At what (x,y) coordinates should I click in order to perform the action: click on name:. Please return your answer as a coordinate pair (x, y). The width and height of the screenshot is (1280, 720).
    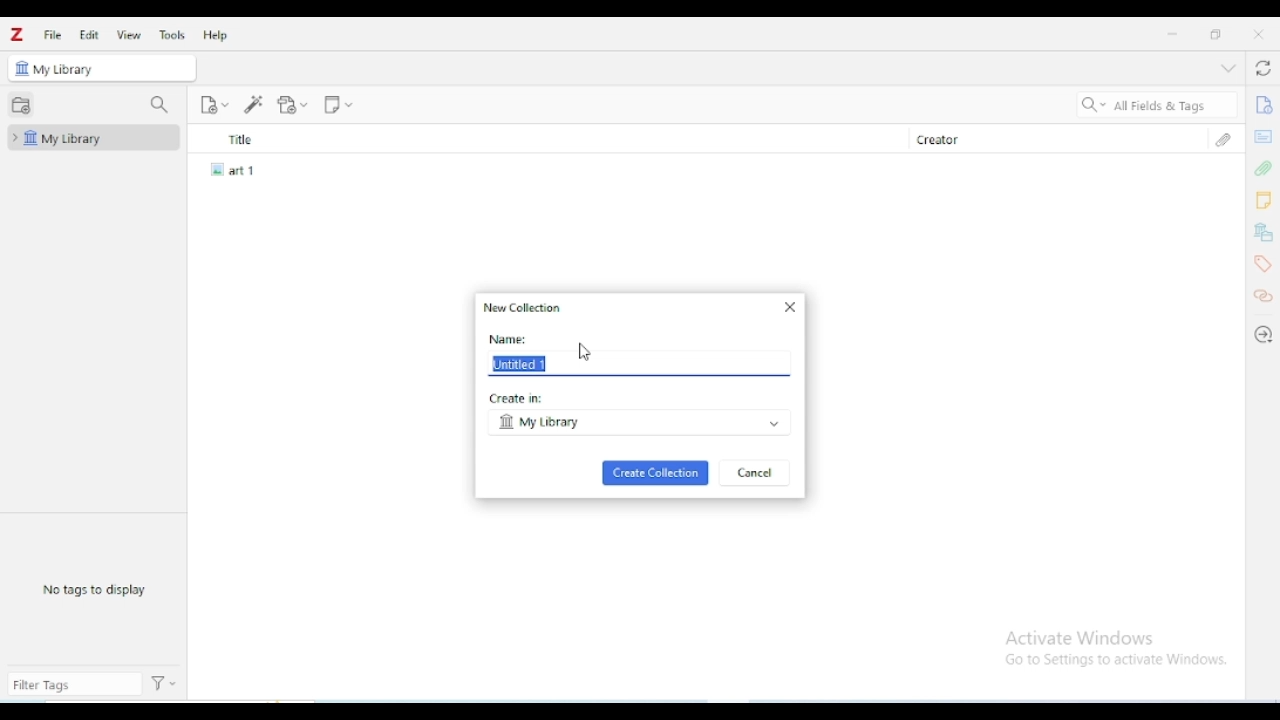
    Looking at the image, I should click on (506, 339).